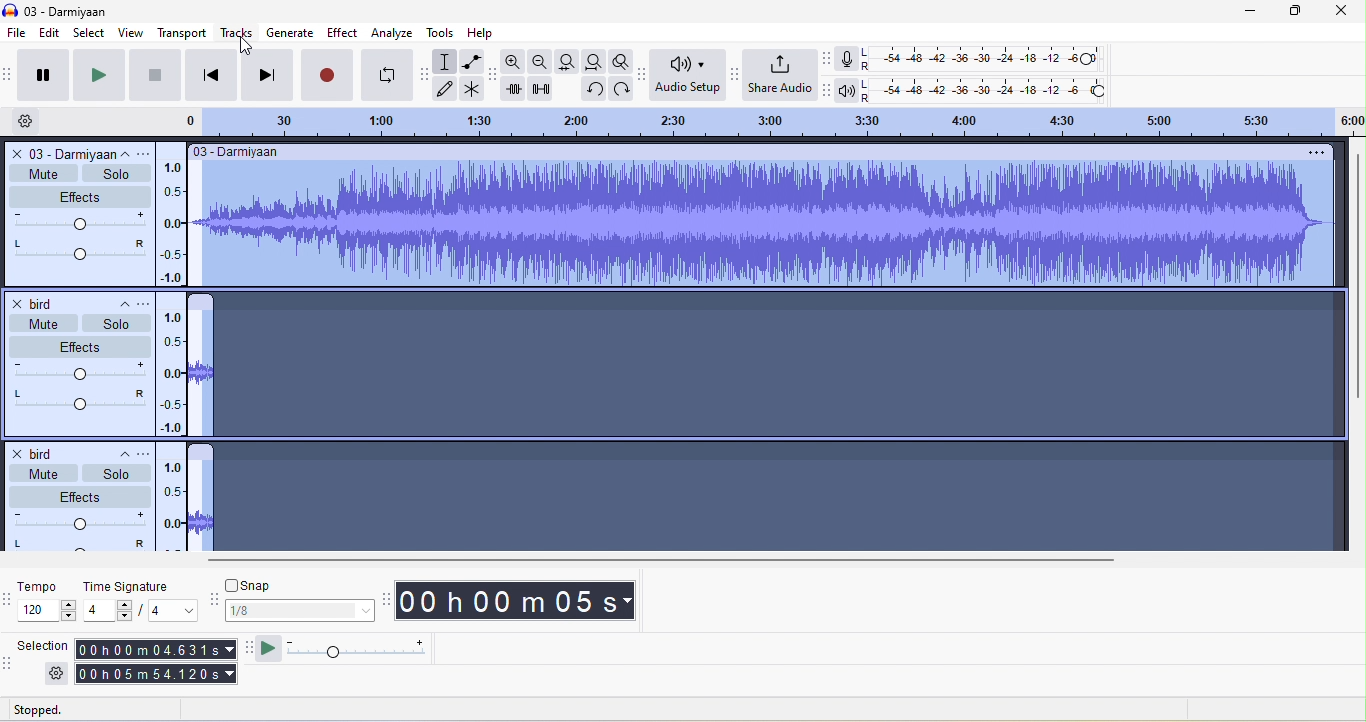  Describe the element at coordinates (89, 32) in the screenshot. I see `select` at that location.